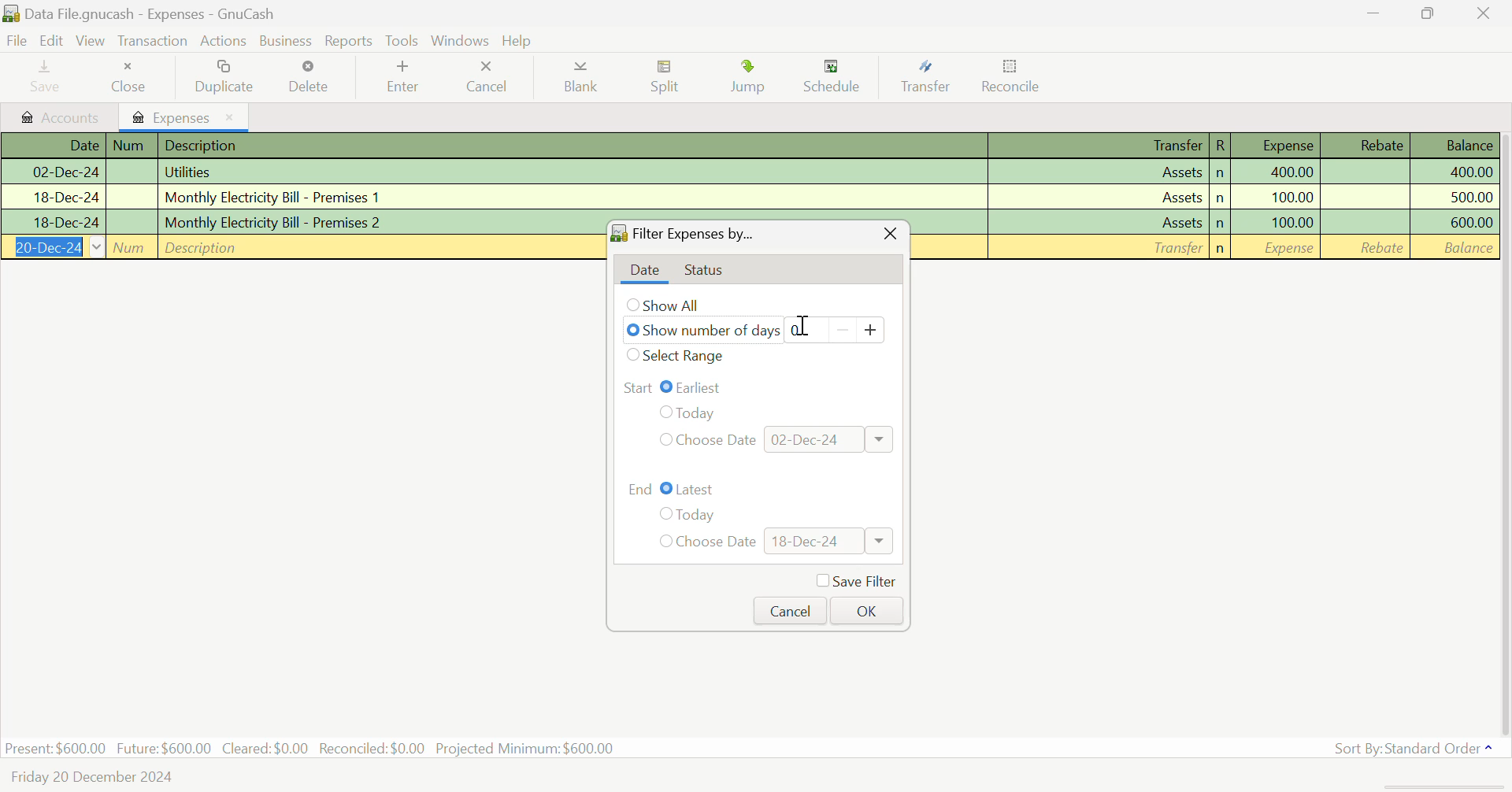 This screenshot has width=1512, height=792. Describe the element at coordinates (1221, 250) in the screenshot. I see `n` at that location.